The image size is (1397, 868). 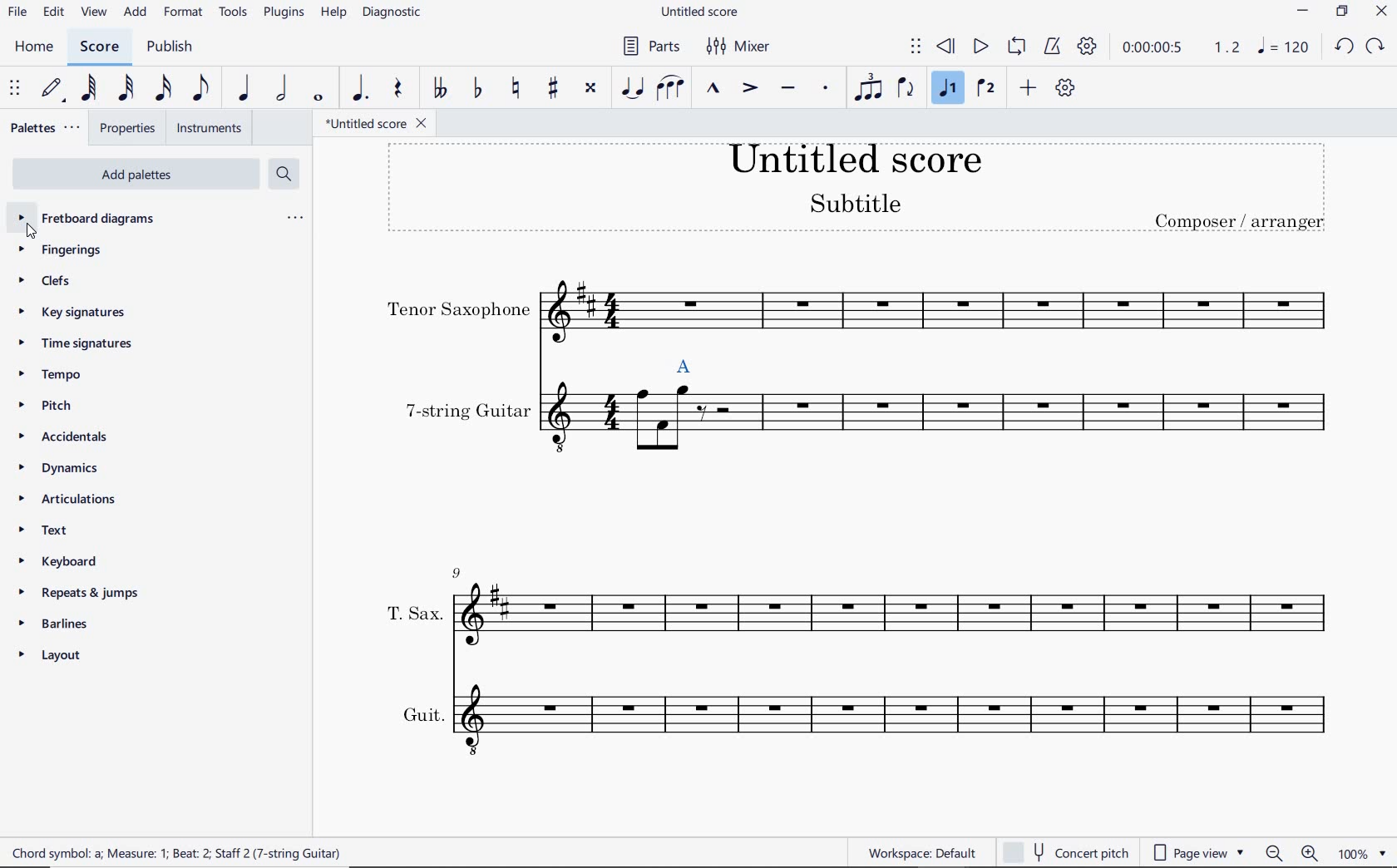 I want to click on LOOP PLAYBACK, so click(x=1015, y=46).